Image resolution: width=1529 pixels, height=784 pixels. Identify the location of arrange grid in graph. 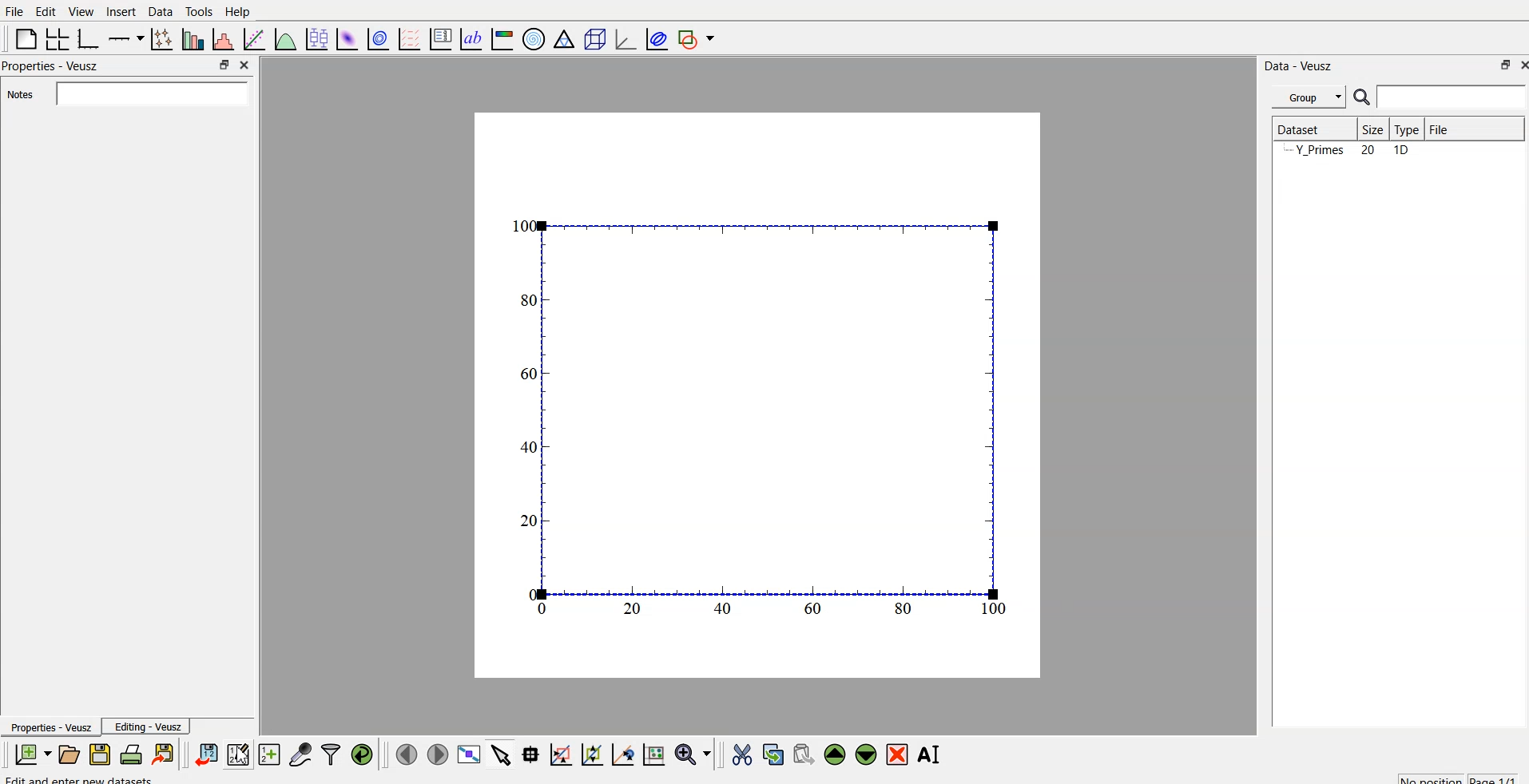
(56, 37).